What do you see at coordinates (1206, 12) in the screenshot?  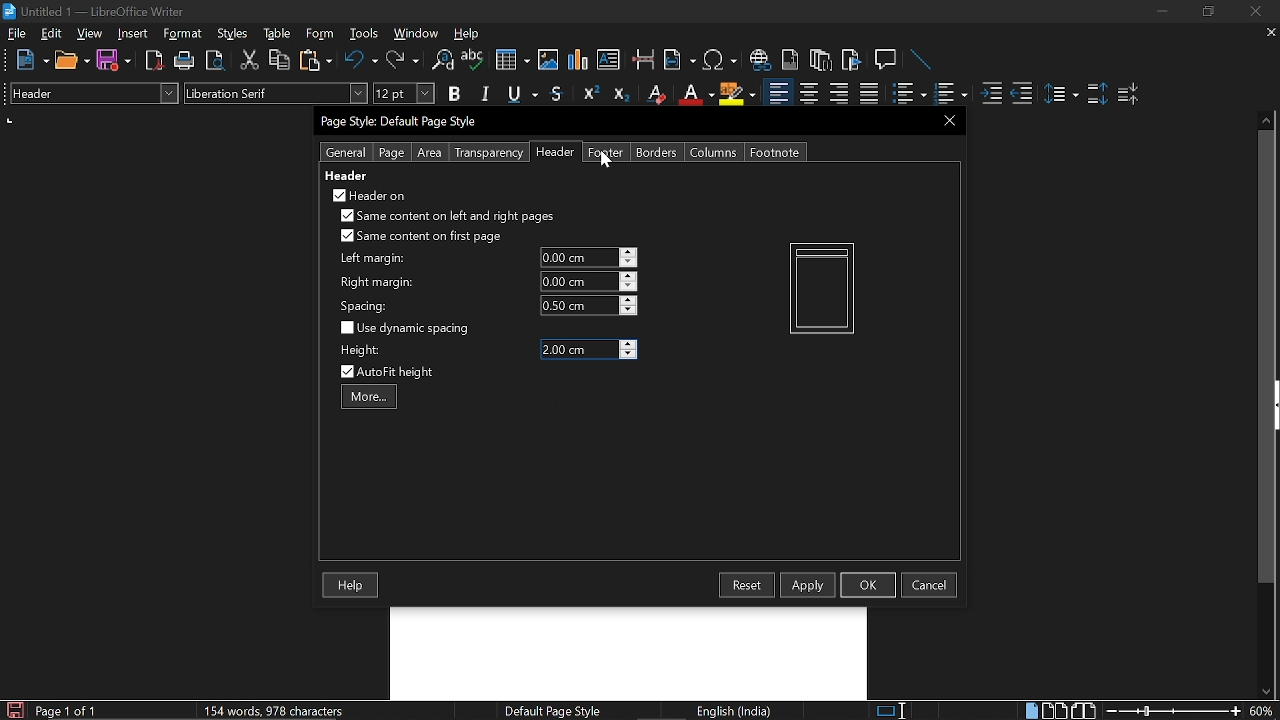 I see `Restore down` at bounding box center [1206, 12].